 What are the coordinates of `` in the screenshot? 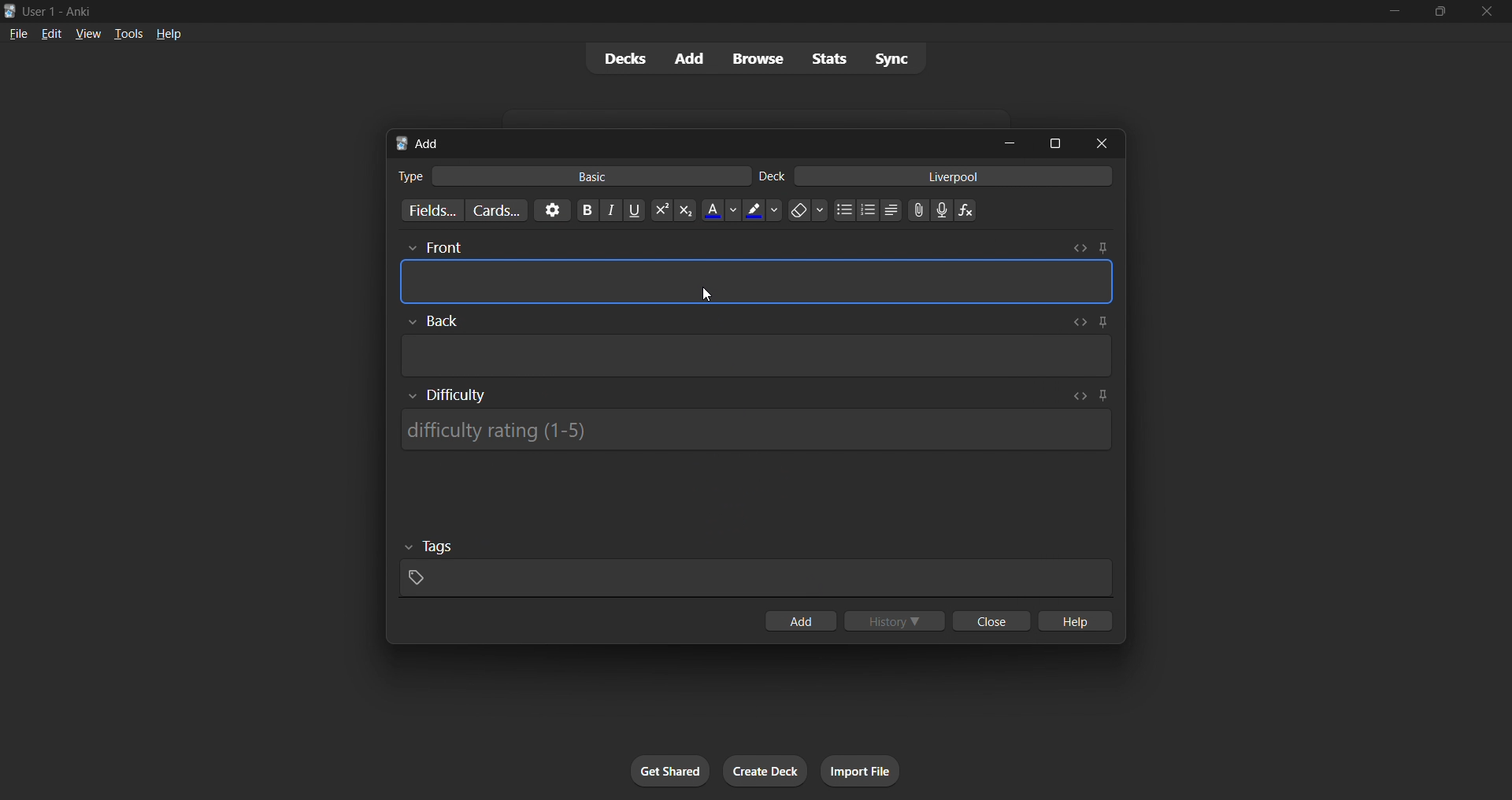 It's located at (430, 547).